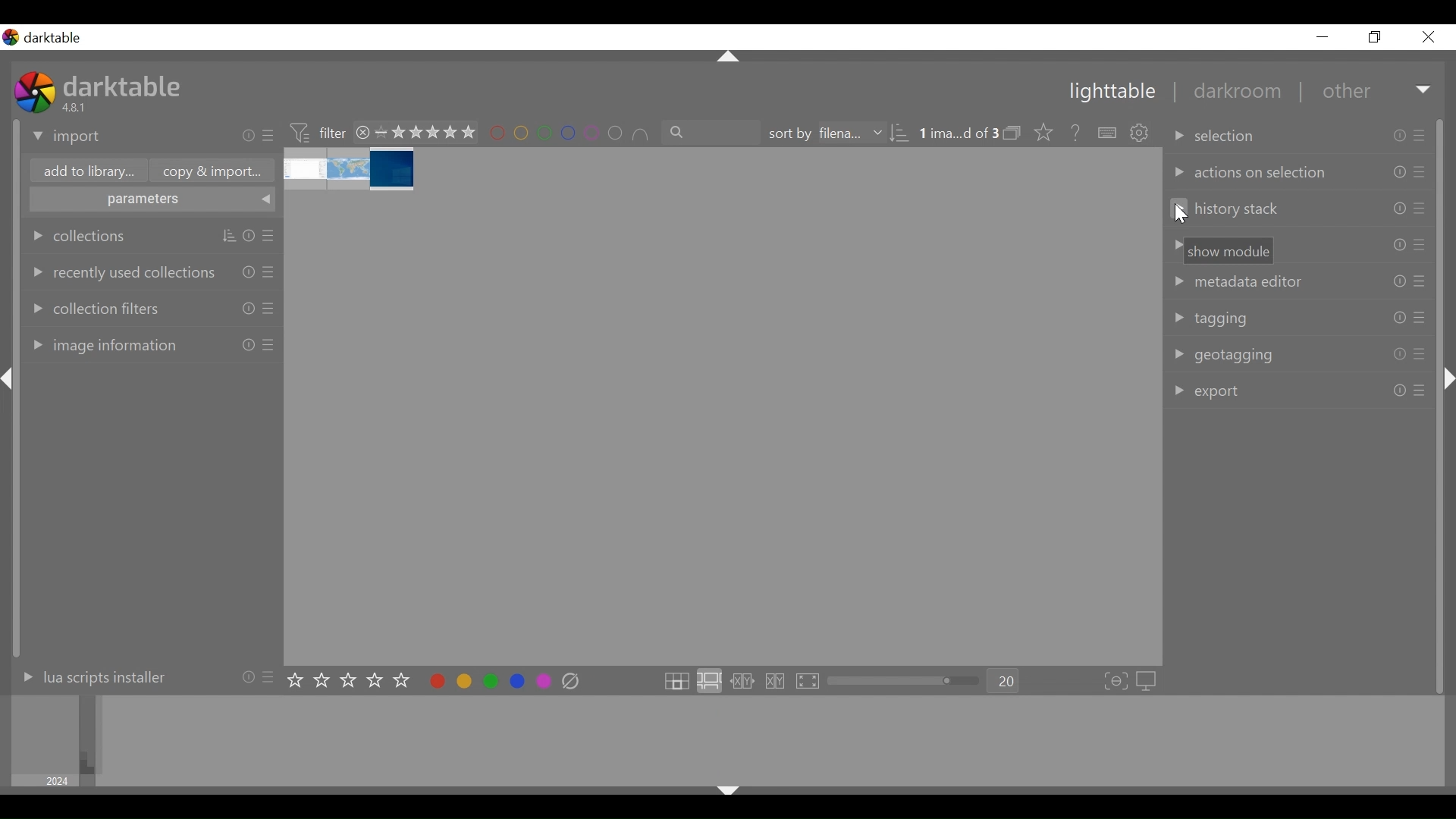 Image resolution: width=1456 pixels, height=819 pixels. What do you see at coordinates (743, 682) in the screenshot?
I see `click to enter culling layout in fixed mode` at bounding box center [743, 682].